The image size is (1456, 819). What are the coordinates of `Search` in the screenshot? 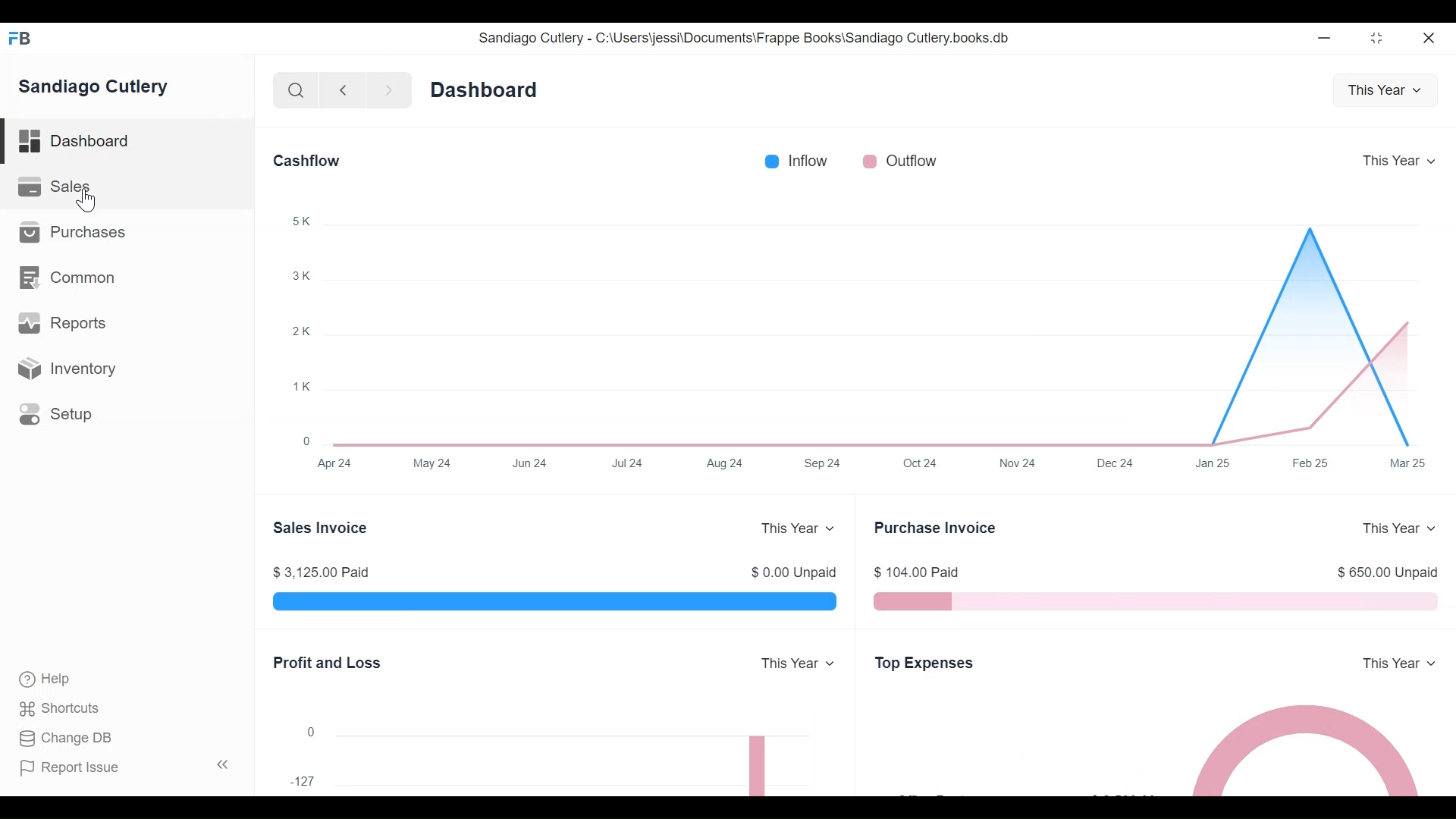 It's located at (296, 89).